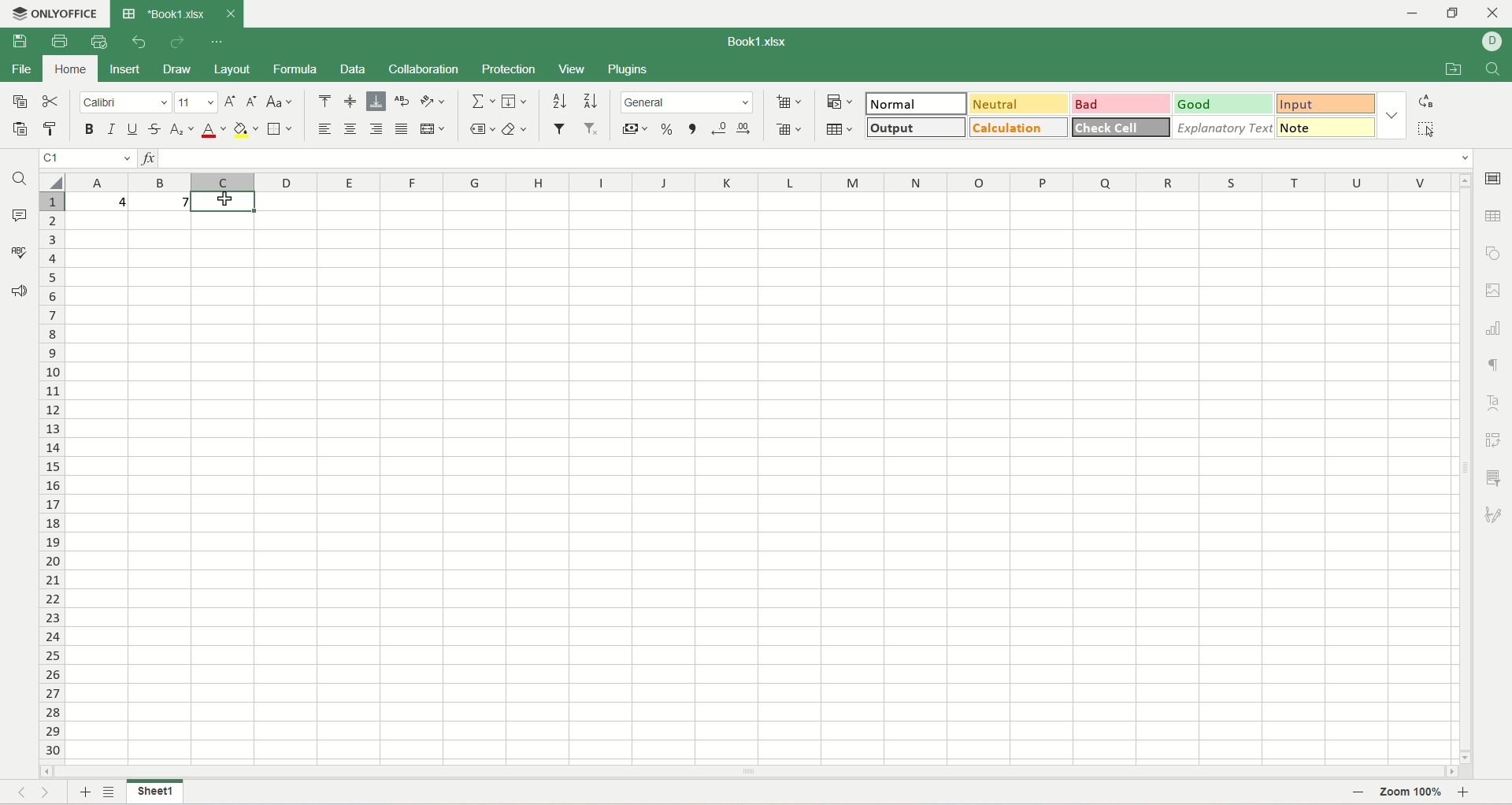 The image size is (1512, 805). I want to click on text art settings, so click(1492, 403).